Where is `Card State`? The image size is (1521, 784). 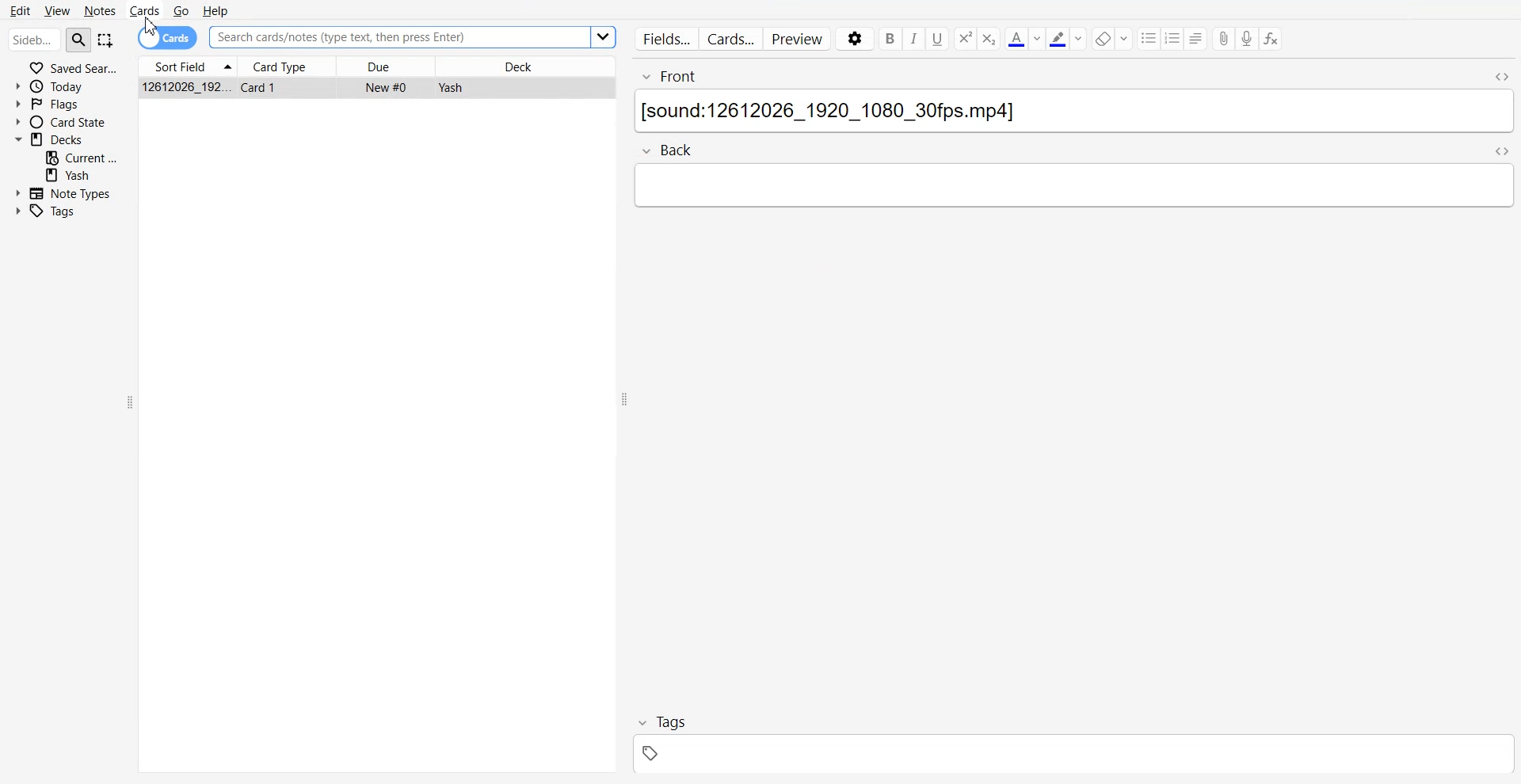
Card State is located at coordinates (66, 122).